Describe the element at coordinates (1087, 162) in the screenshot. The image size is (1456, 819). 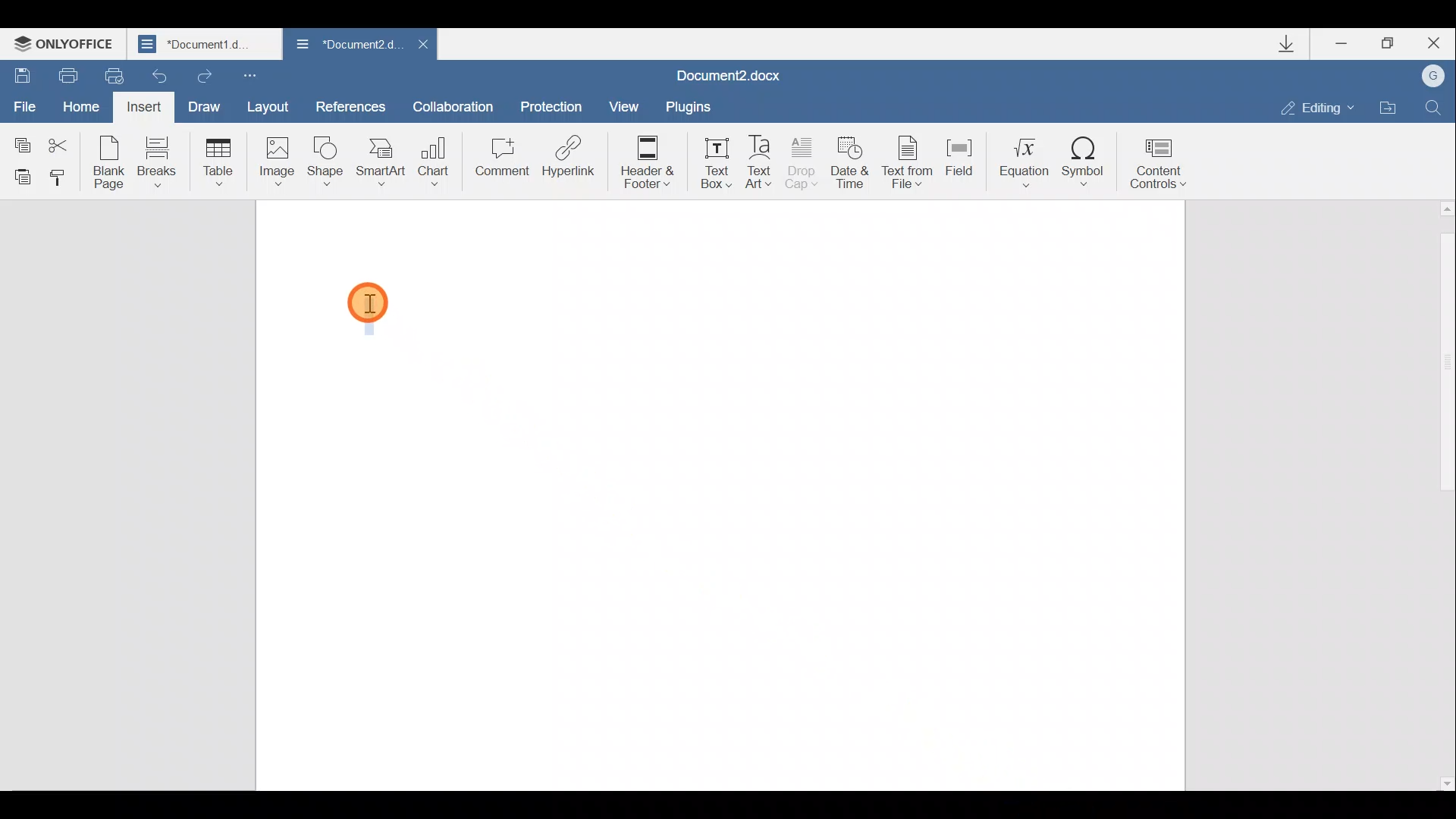
I see `Symbol` at that location.